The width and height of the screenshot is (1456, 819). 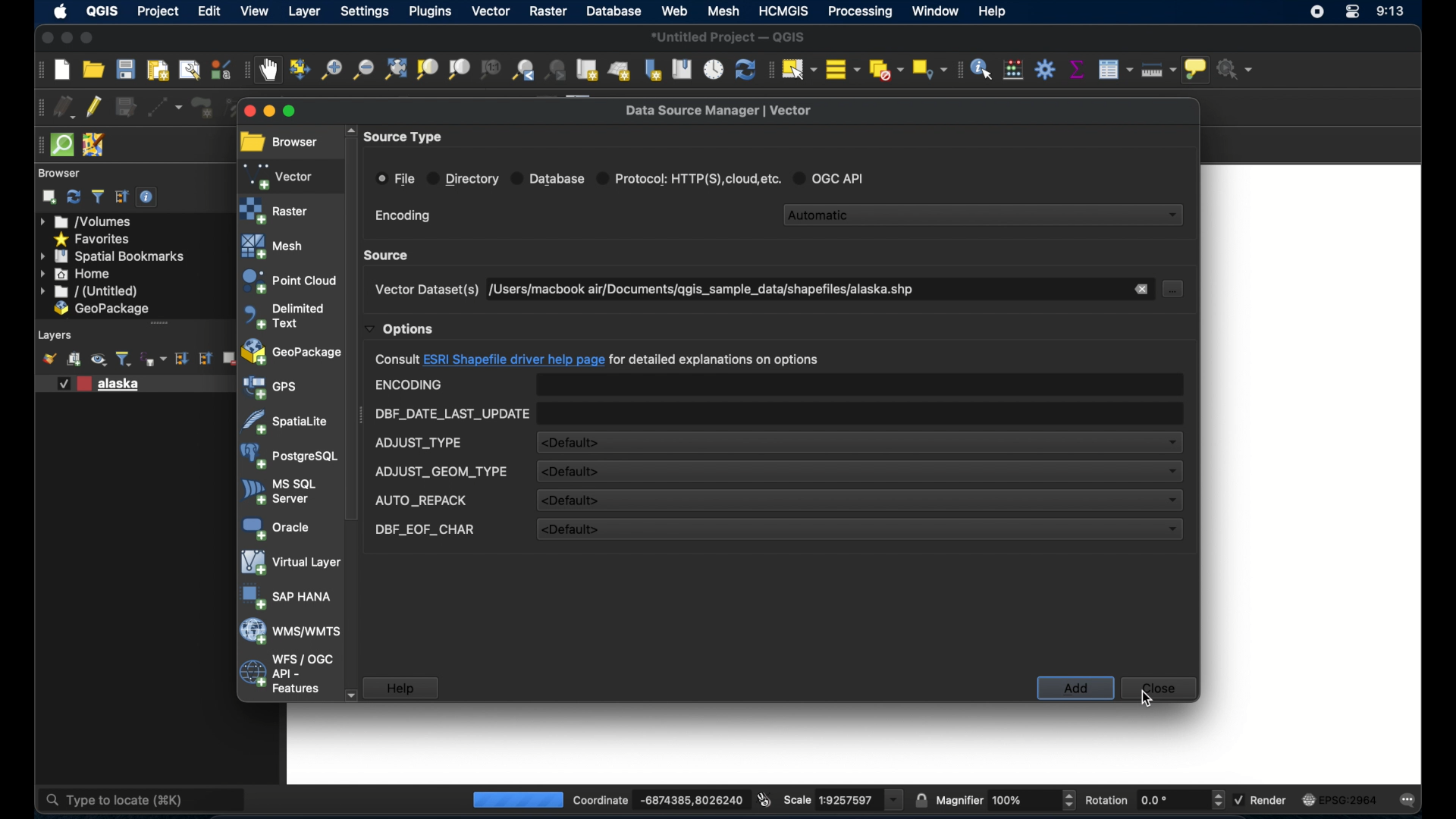 I want to click on close, so click(x=44, y=37).